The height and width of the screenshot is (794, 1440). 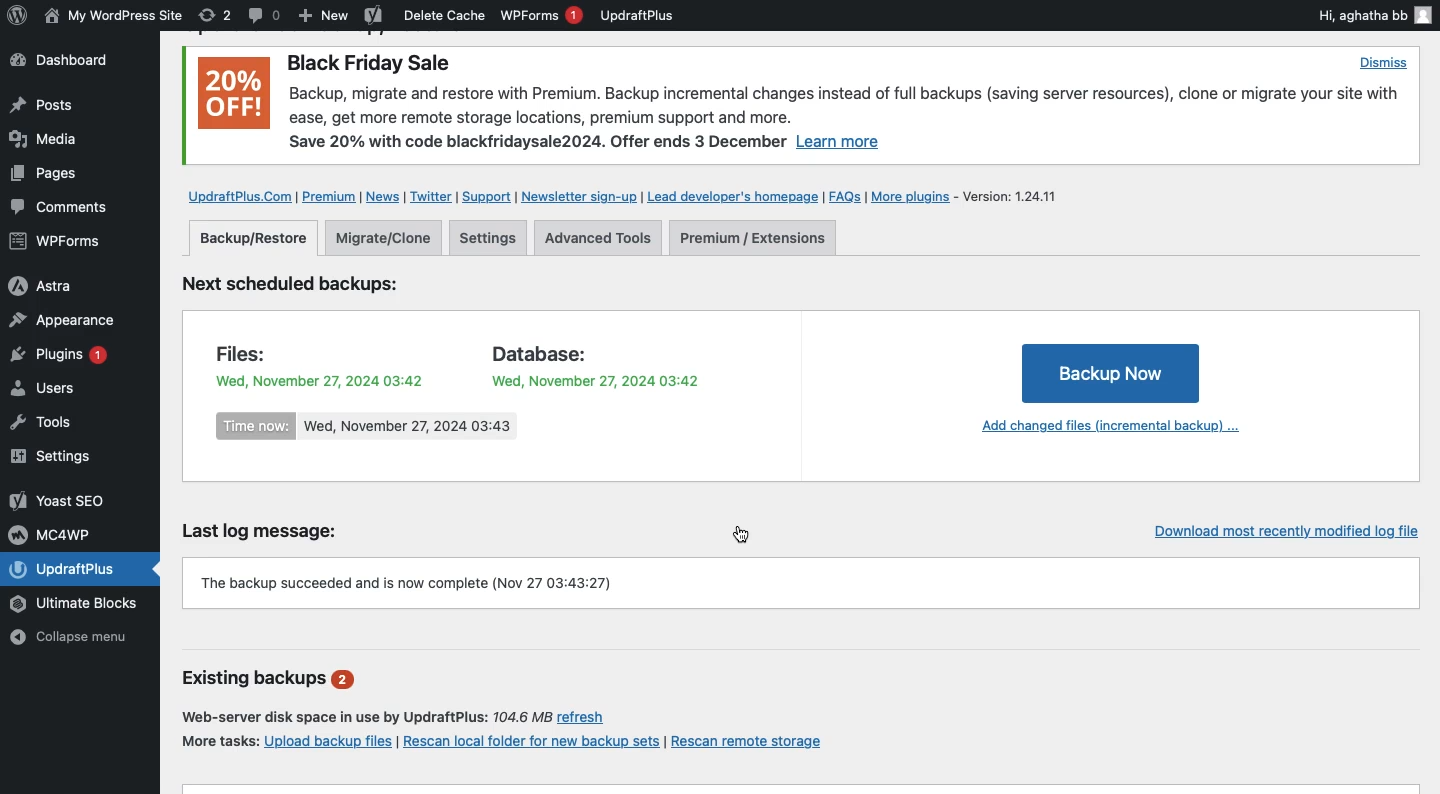 What do you see at coordinates (638, 15) in the screenshot?
I see `UpdraftPlus` at bounding box center [638, 15].